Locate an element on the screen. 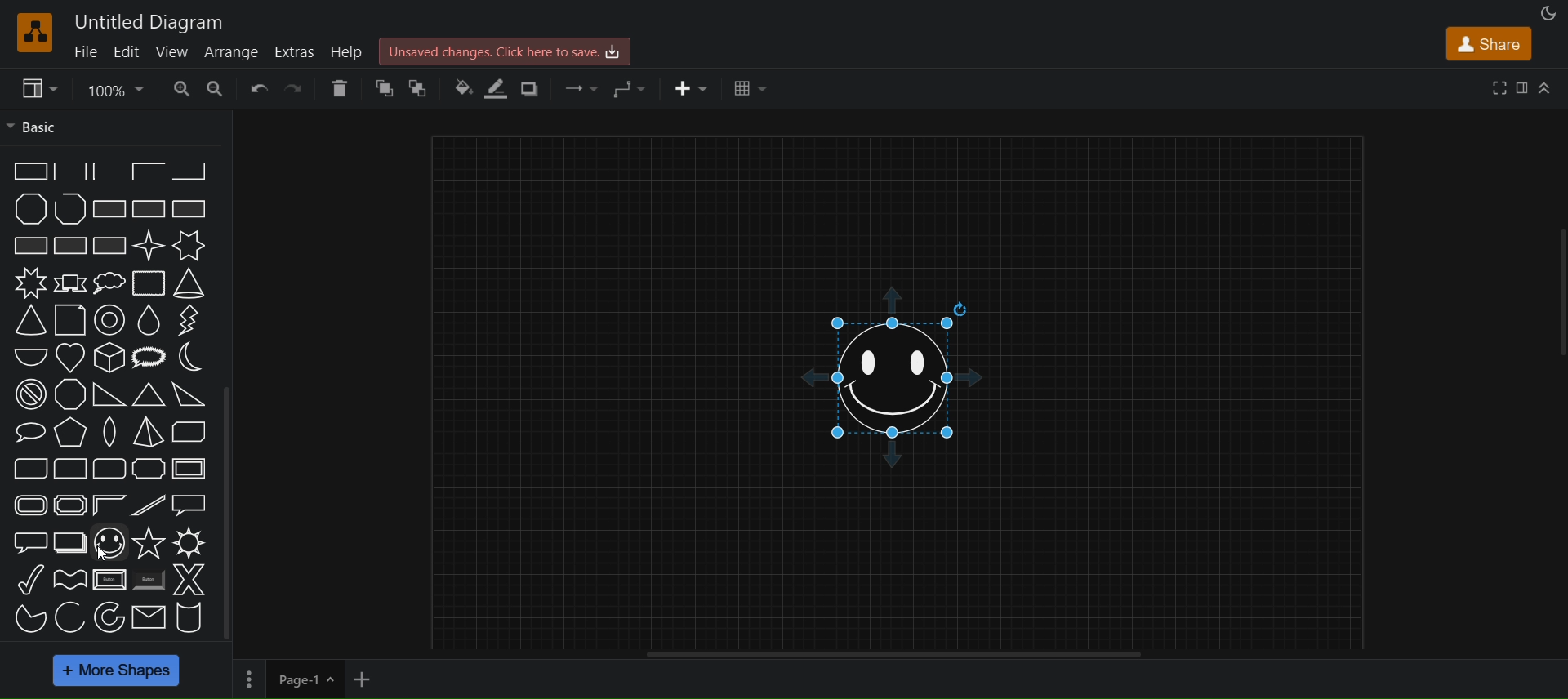  diagonal strip is located at coordinates (150, 507).